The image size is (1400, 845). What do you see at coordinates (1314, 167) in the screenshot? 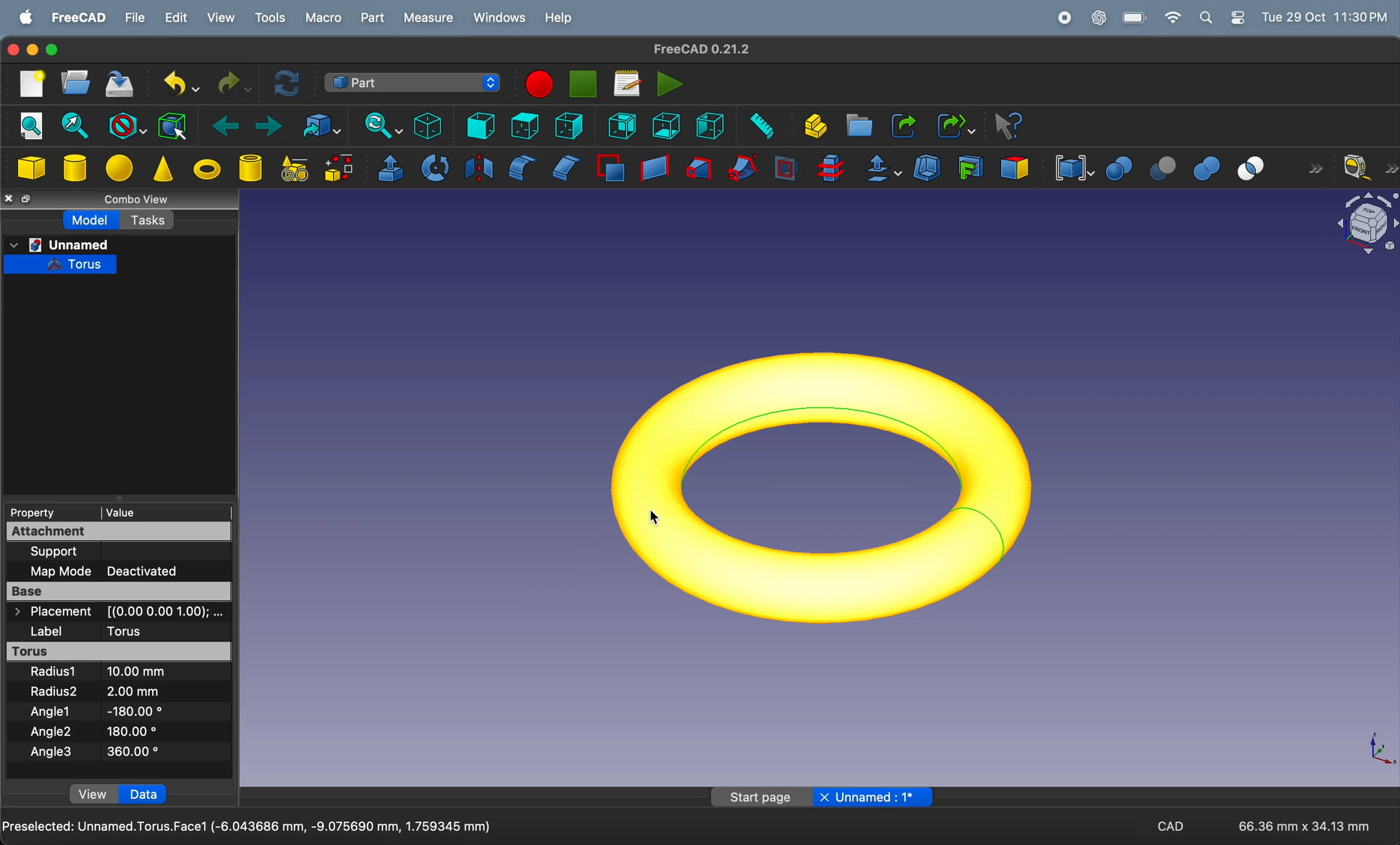
I see `forward` at bounding box center [1314, 167].